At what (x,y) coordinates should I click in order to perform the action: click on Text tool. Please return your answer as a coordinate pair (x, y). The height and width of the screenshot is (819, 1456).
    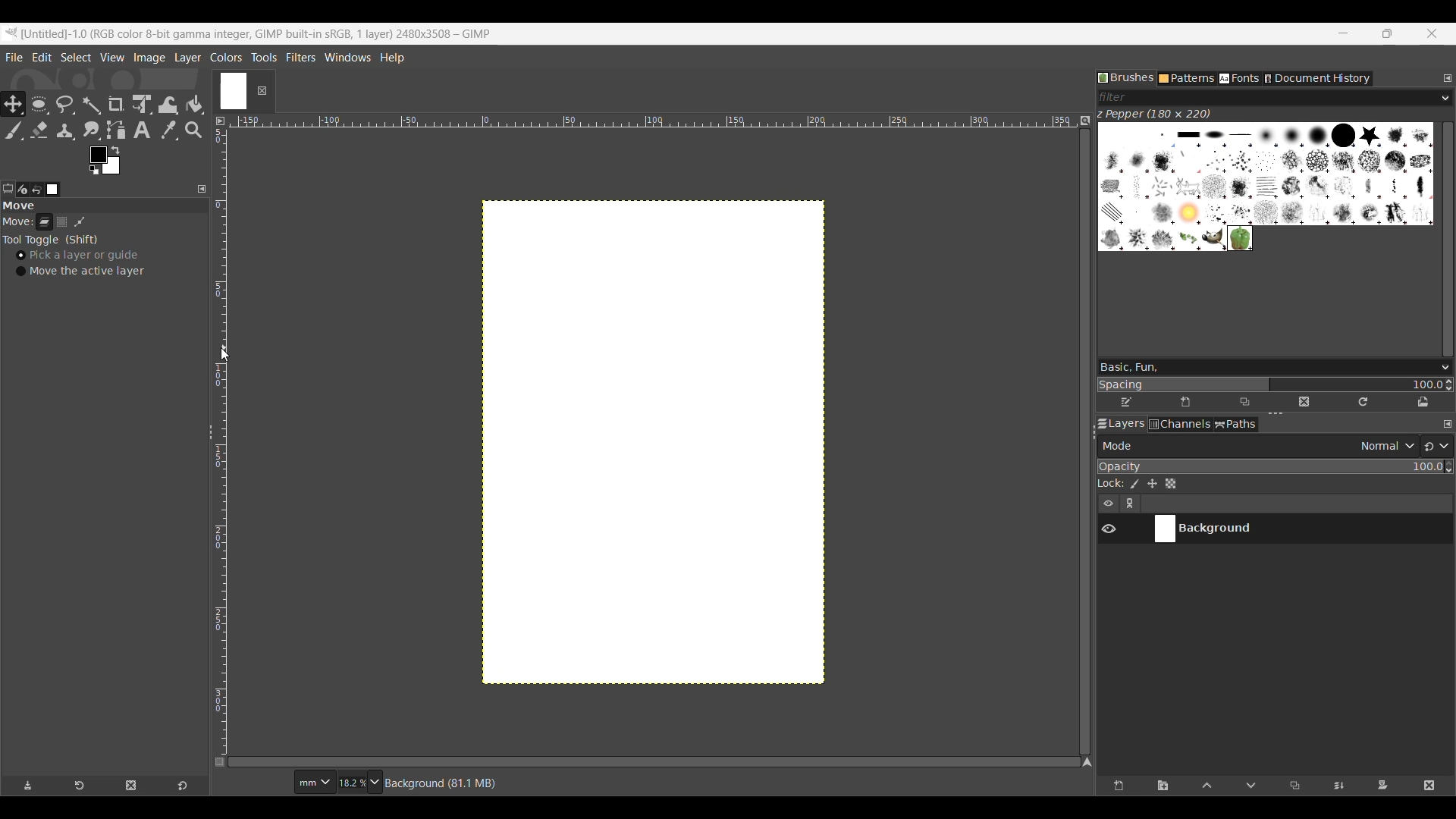
    Looking at the image, I should click on (143, 130).